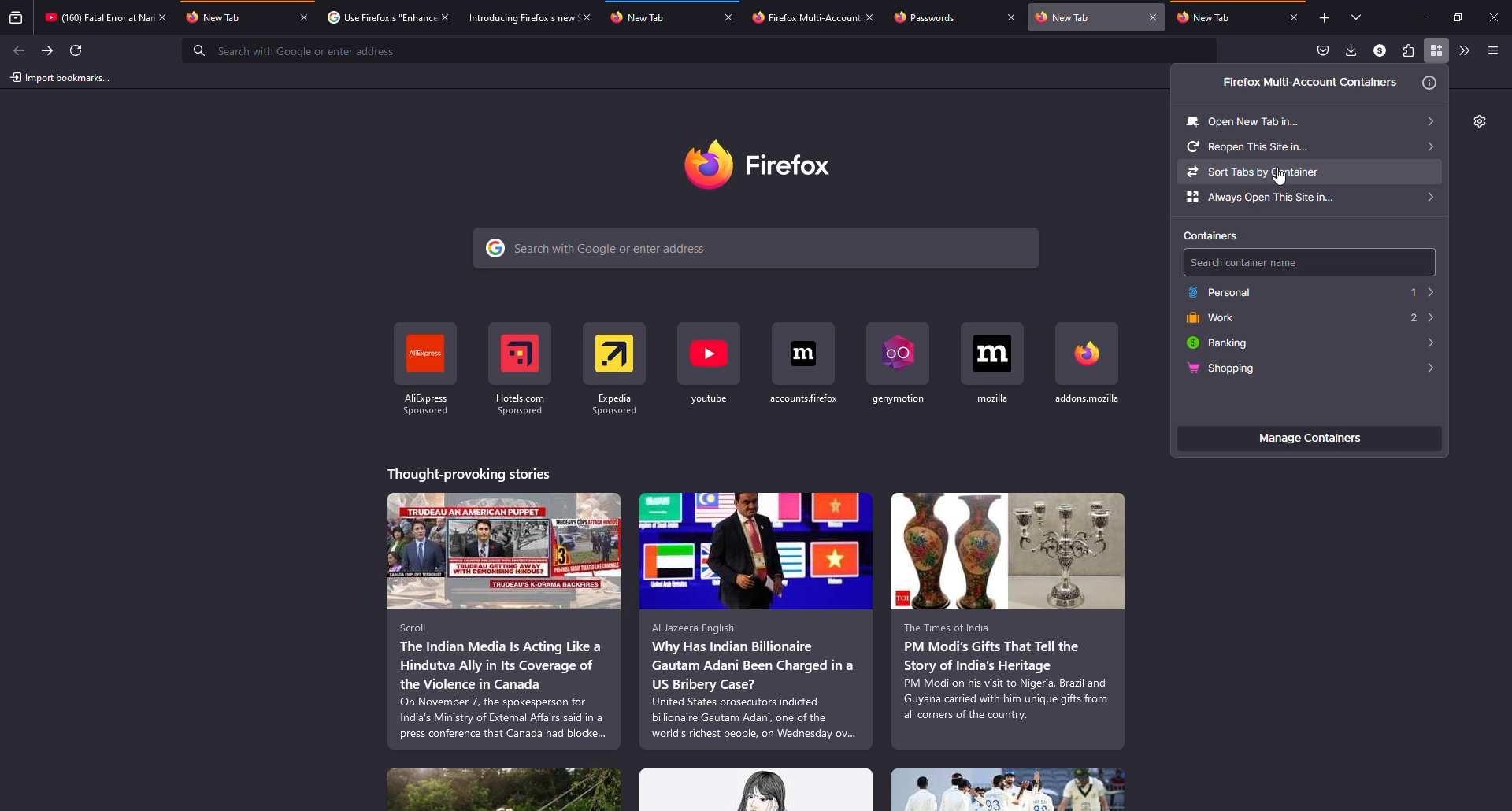  I want to click on close, so click(304, 17).